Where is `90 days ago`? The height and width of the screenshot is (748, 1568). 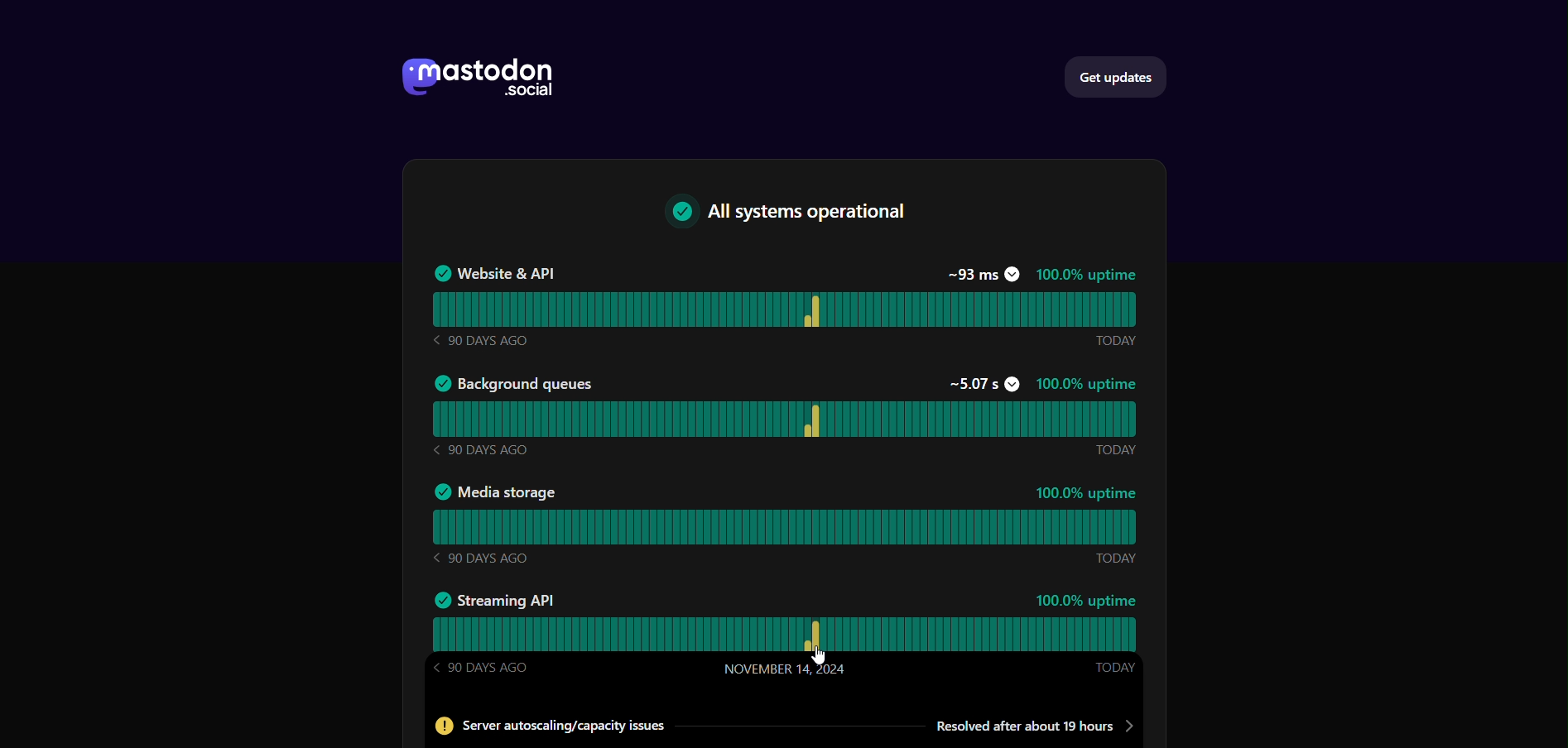 90 days ago is located at coordinates (481, 558).